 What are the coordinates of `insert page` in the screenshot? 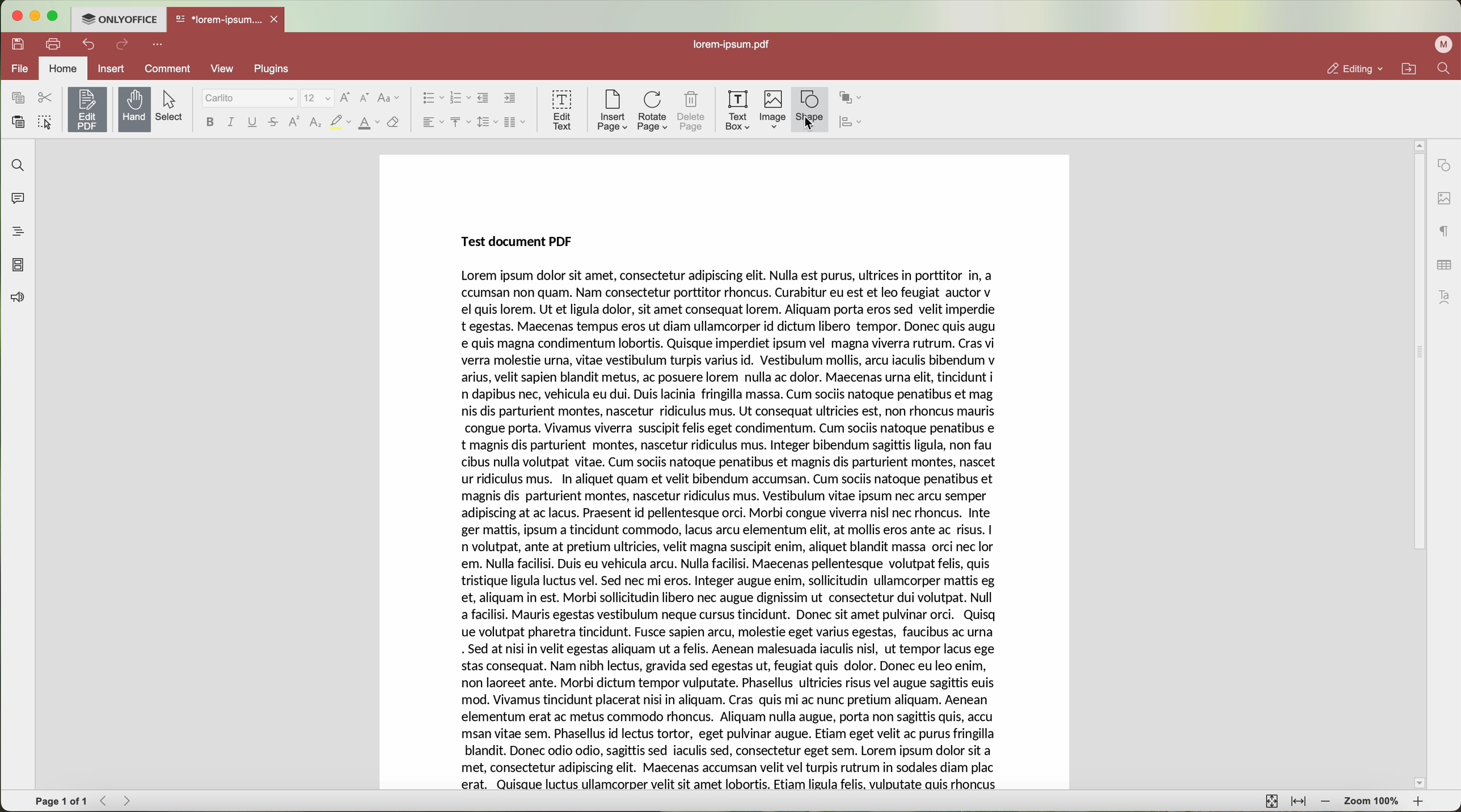 It's located at (610, 111).